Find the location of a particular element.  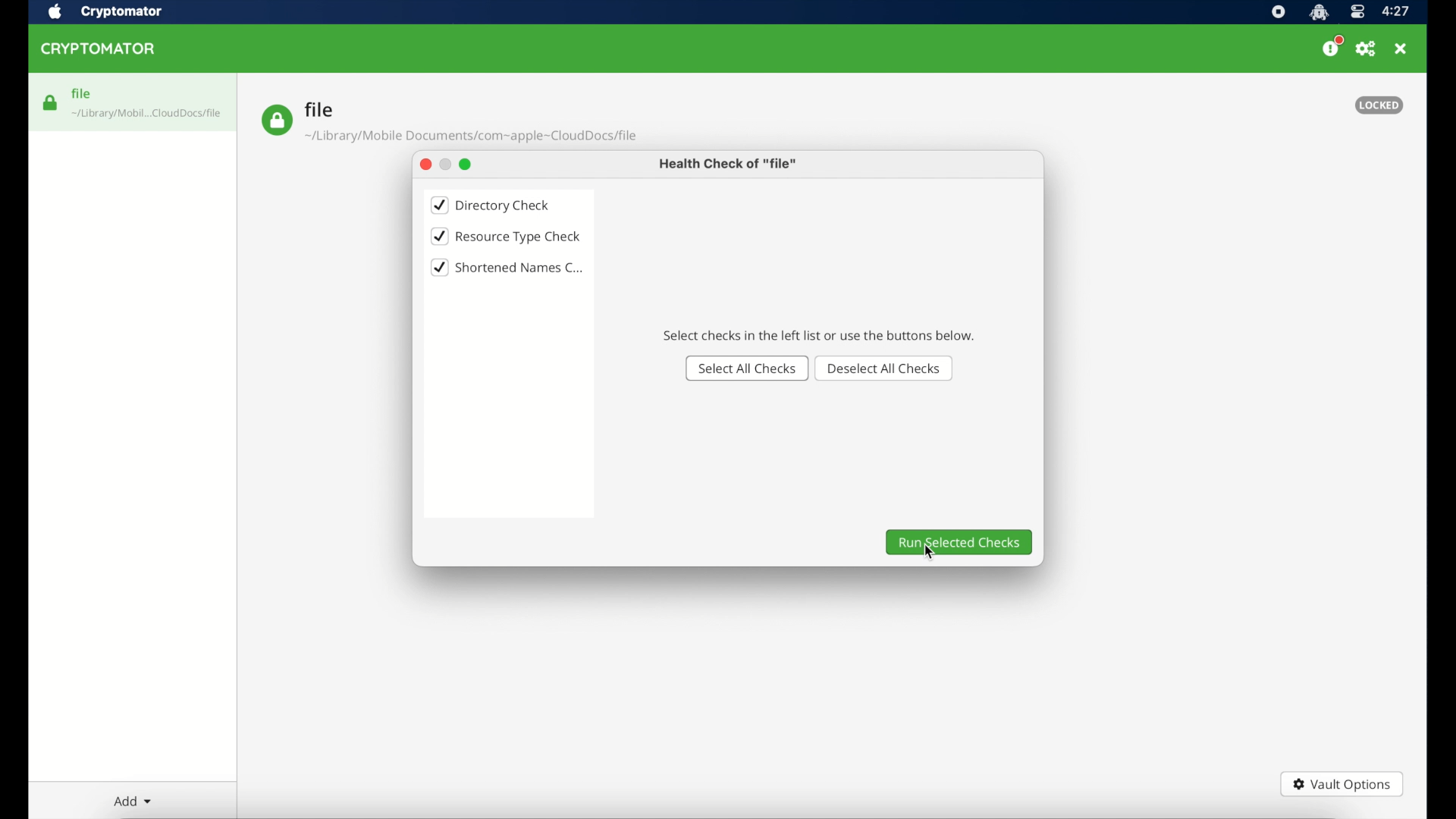

close is located at coordinates (1402, 49).